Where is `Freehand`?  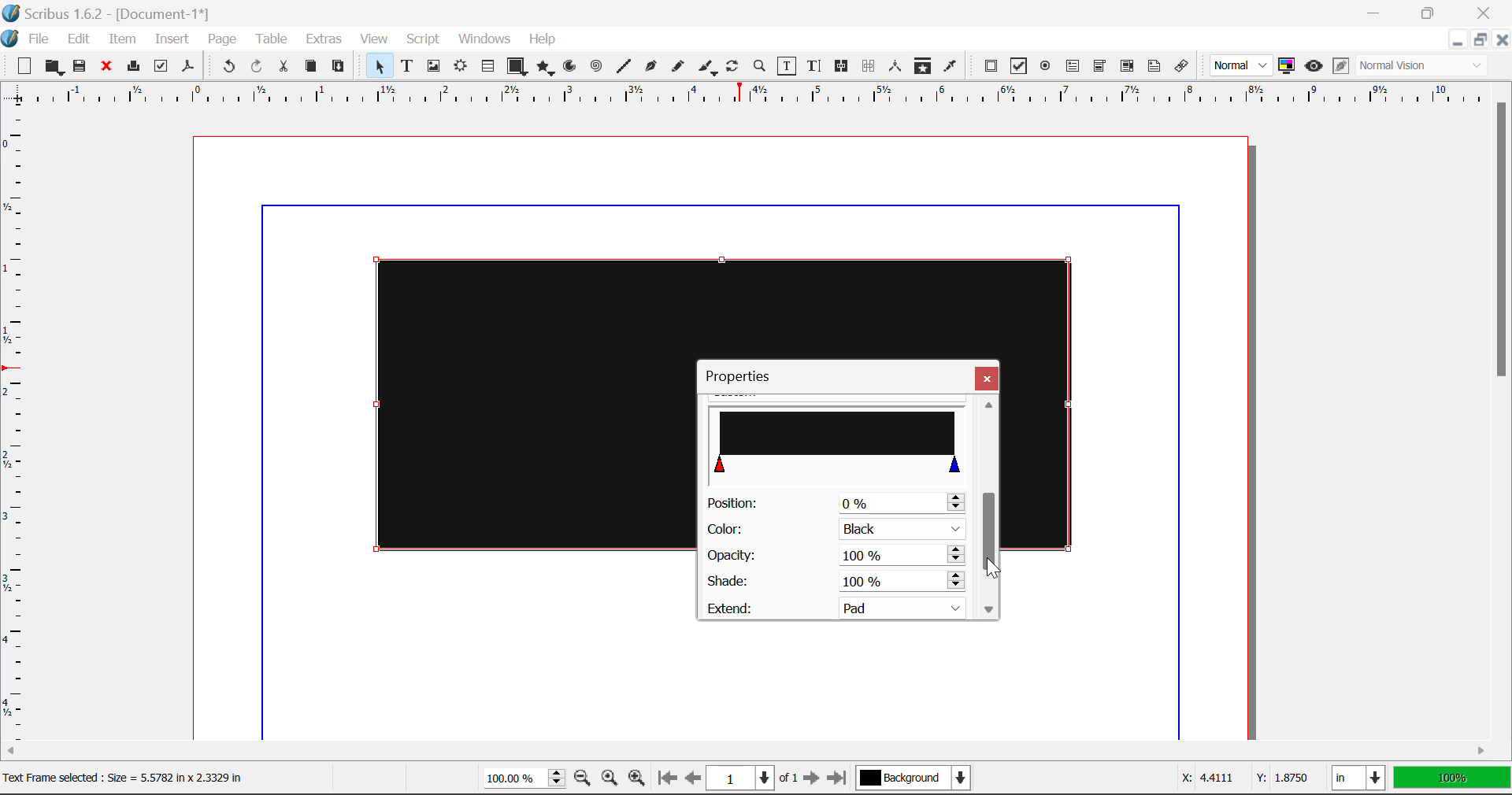
Freehand is located at coordinates (679, 70).